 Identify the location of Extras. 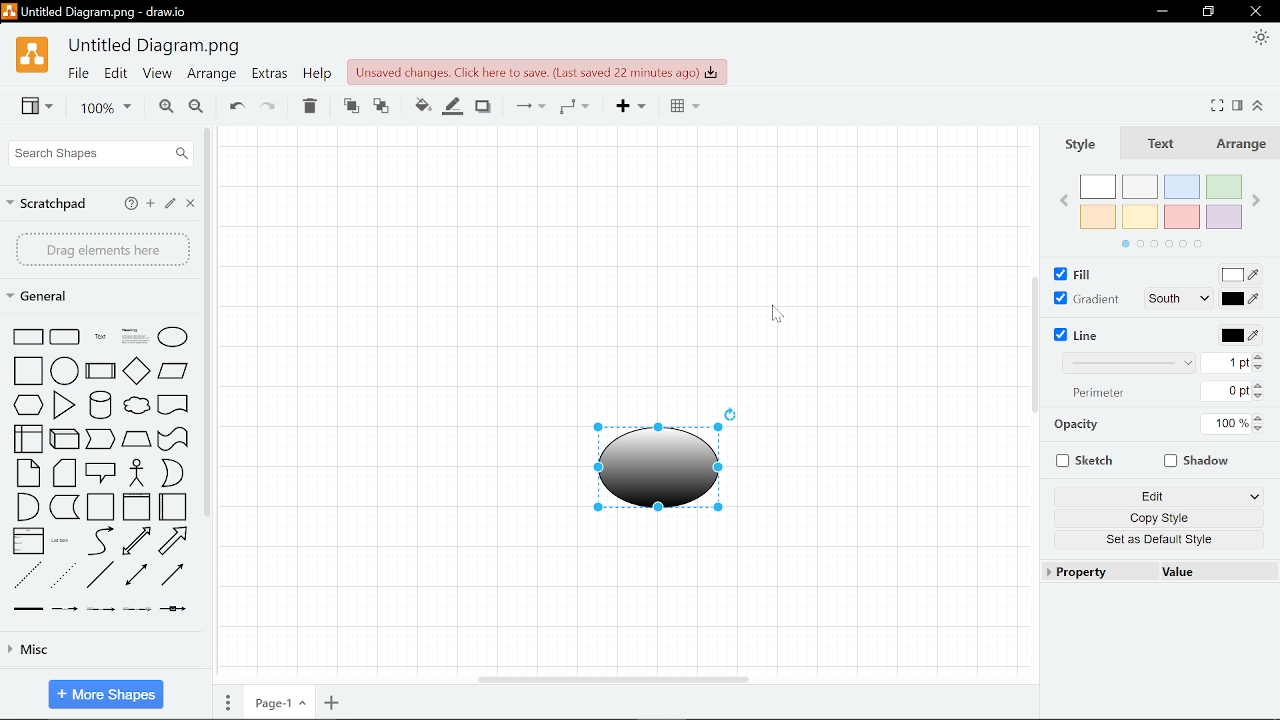
(269, 74).